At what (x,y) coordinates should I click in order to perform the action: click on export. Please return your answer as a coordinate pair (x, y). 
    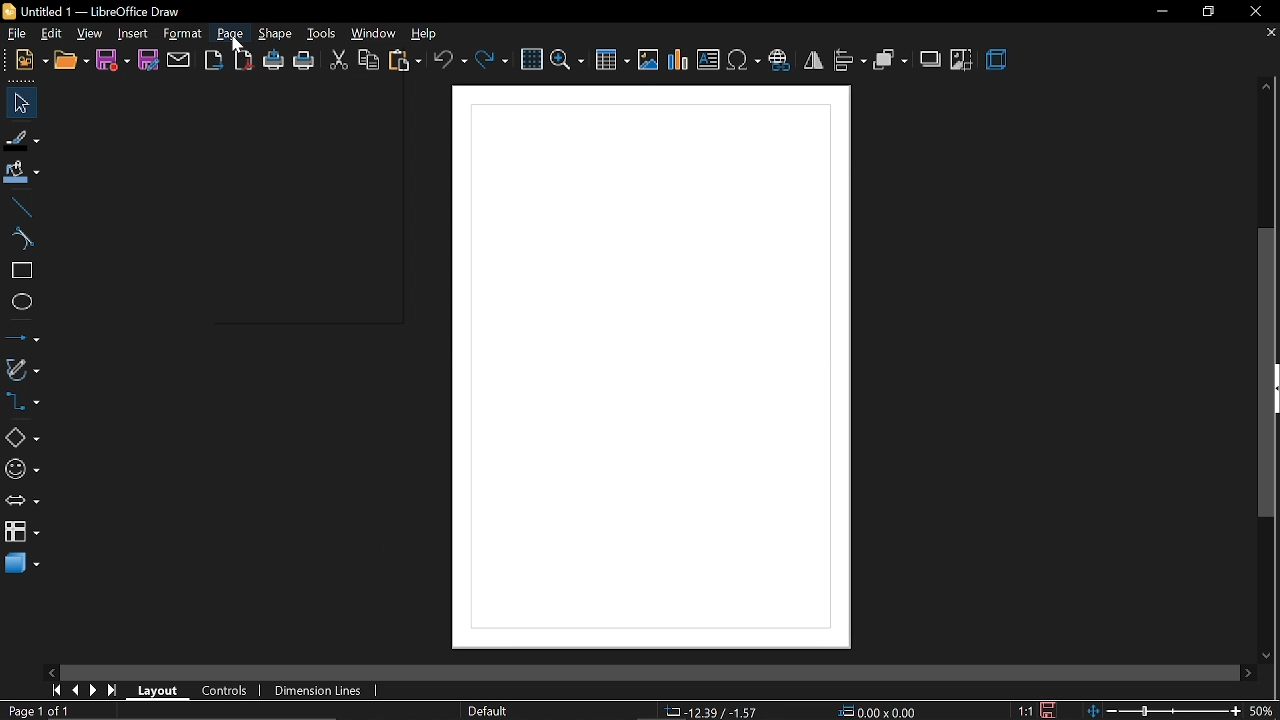
    Looking at the image, I should click on (214, 61).